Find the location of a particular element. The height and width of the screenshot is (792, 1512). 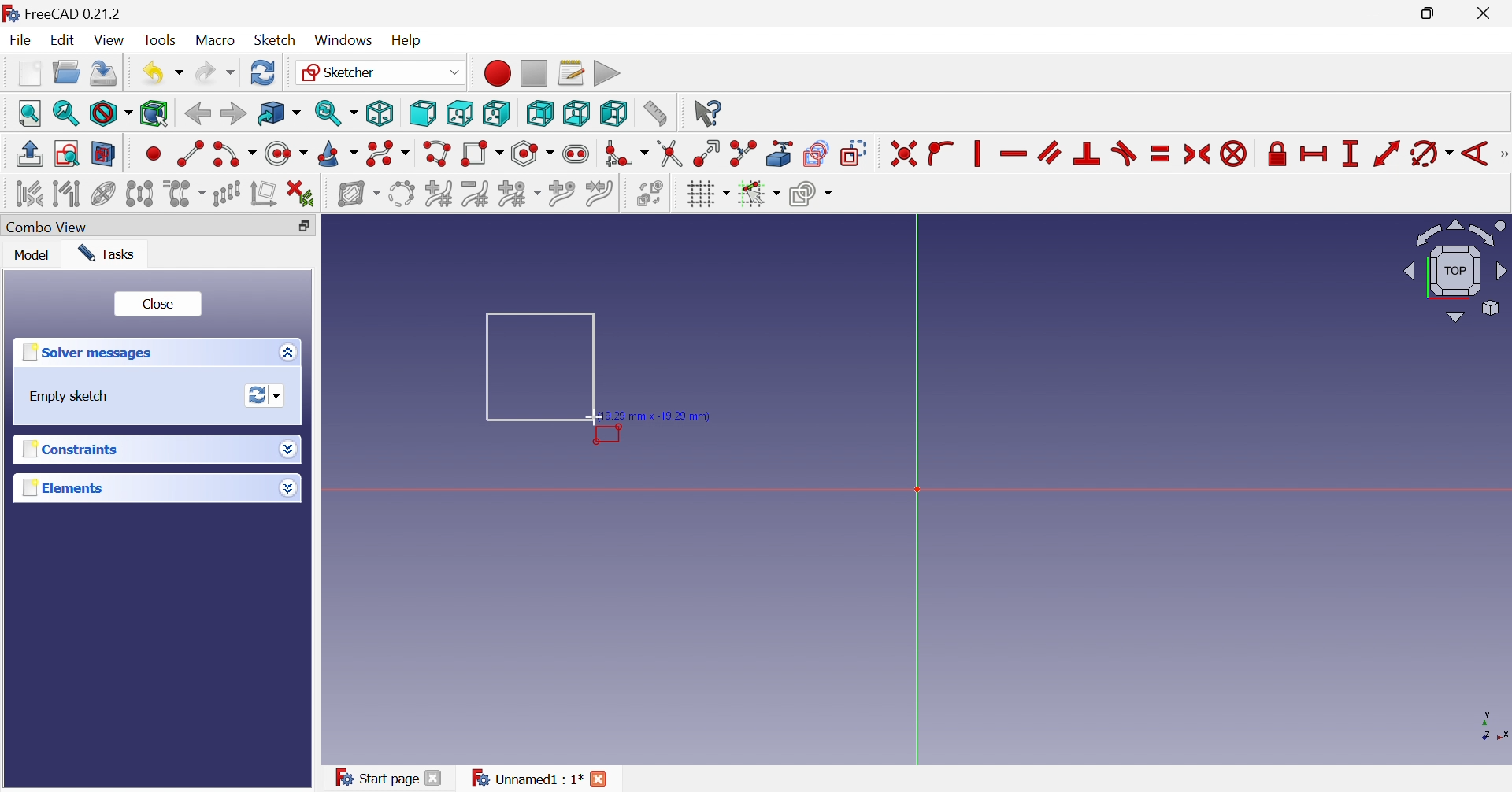

Switch virtual space is located at coordinates (650, 193).